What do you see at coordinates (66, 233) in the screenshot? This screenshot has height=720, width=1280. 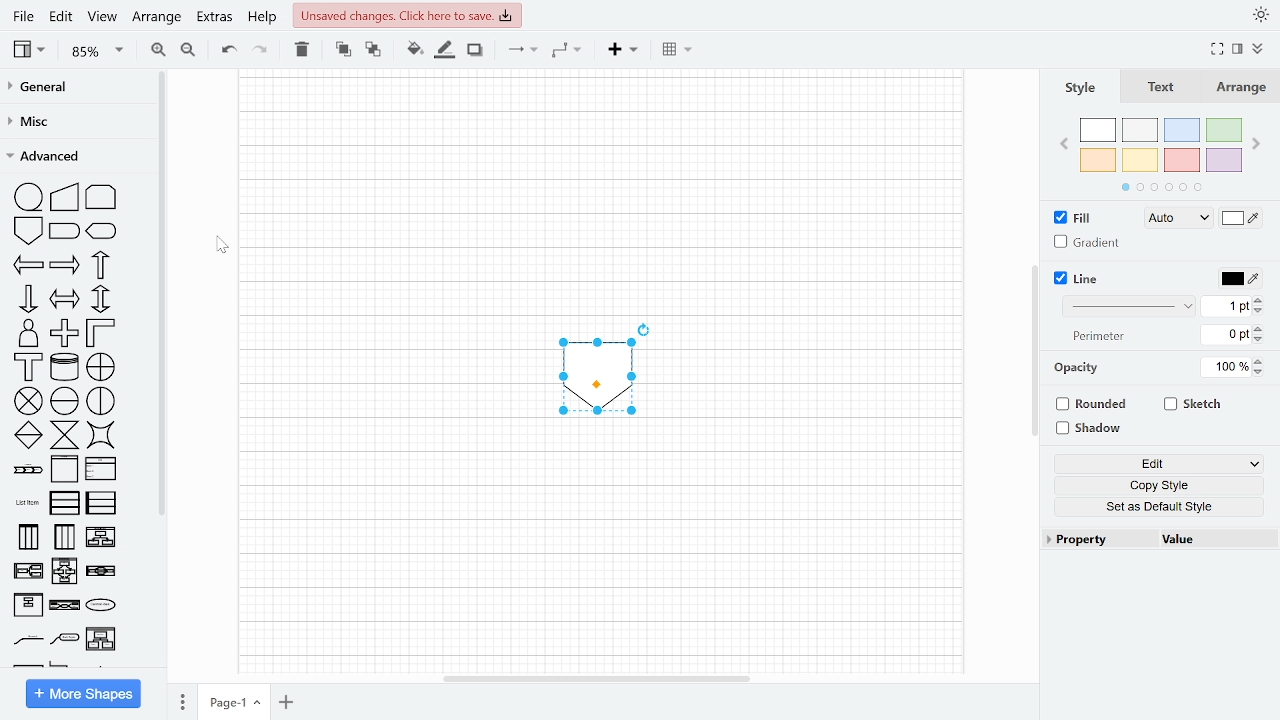 I see `delay ` at bounding box center [66, 233].